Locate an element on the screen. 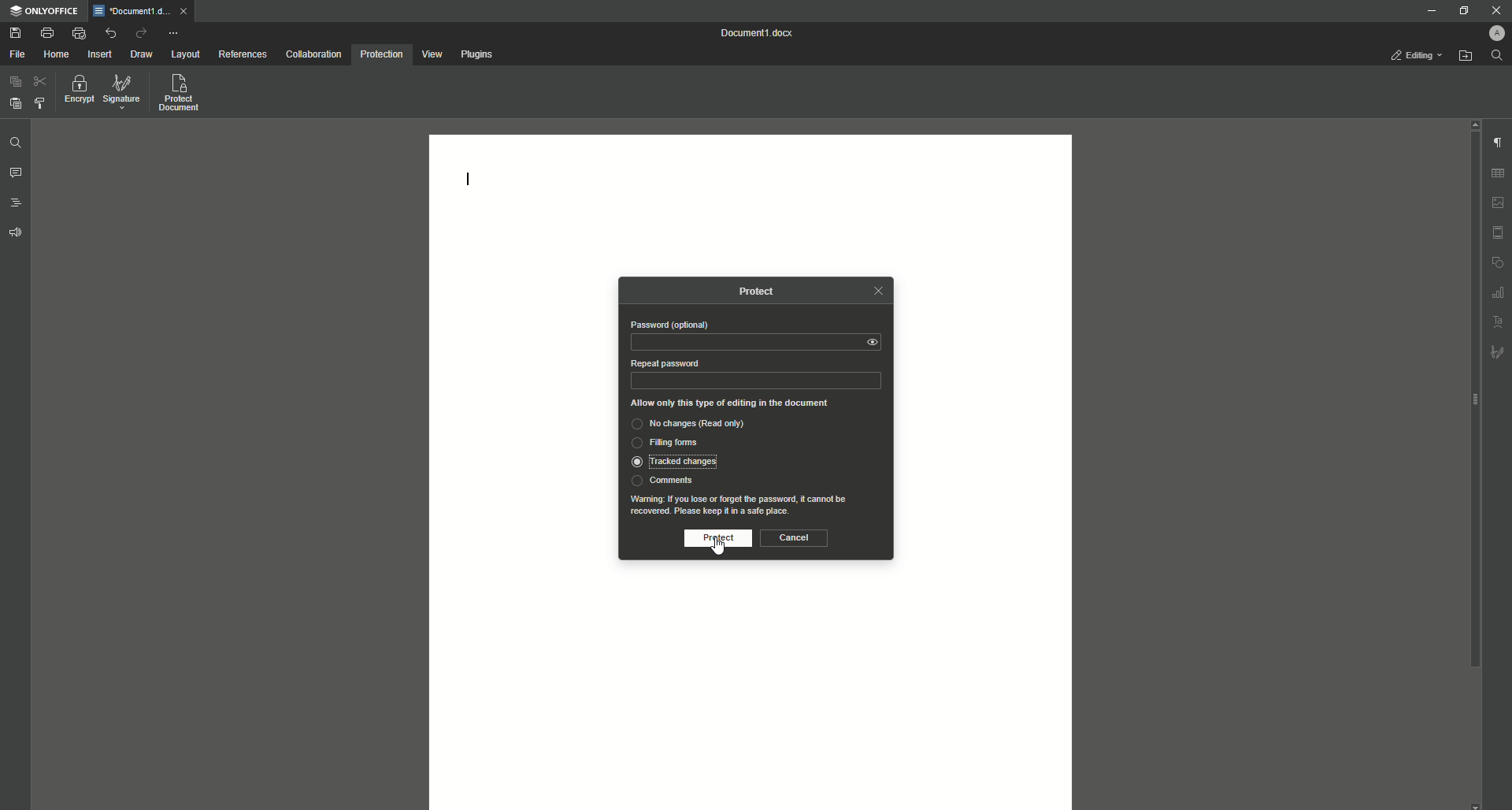 This screenshot has height=810, width=1512. Paragraph Settings is located at coordinates (1498, 143).